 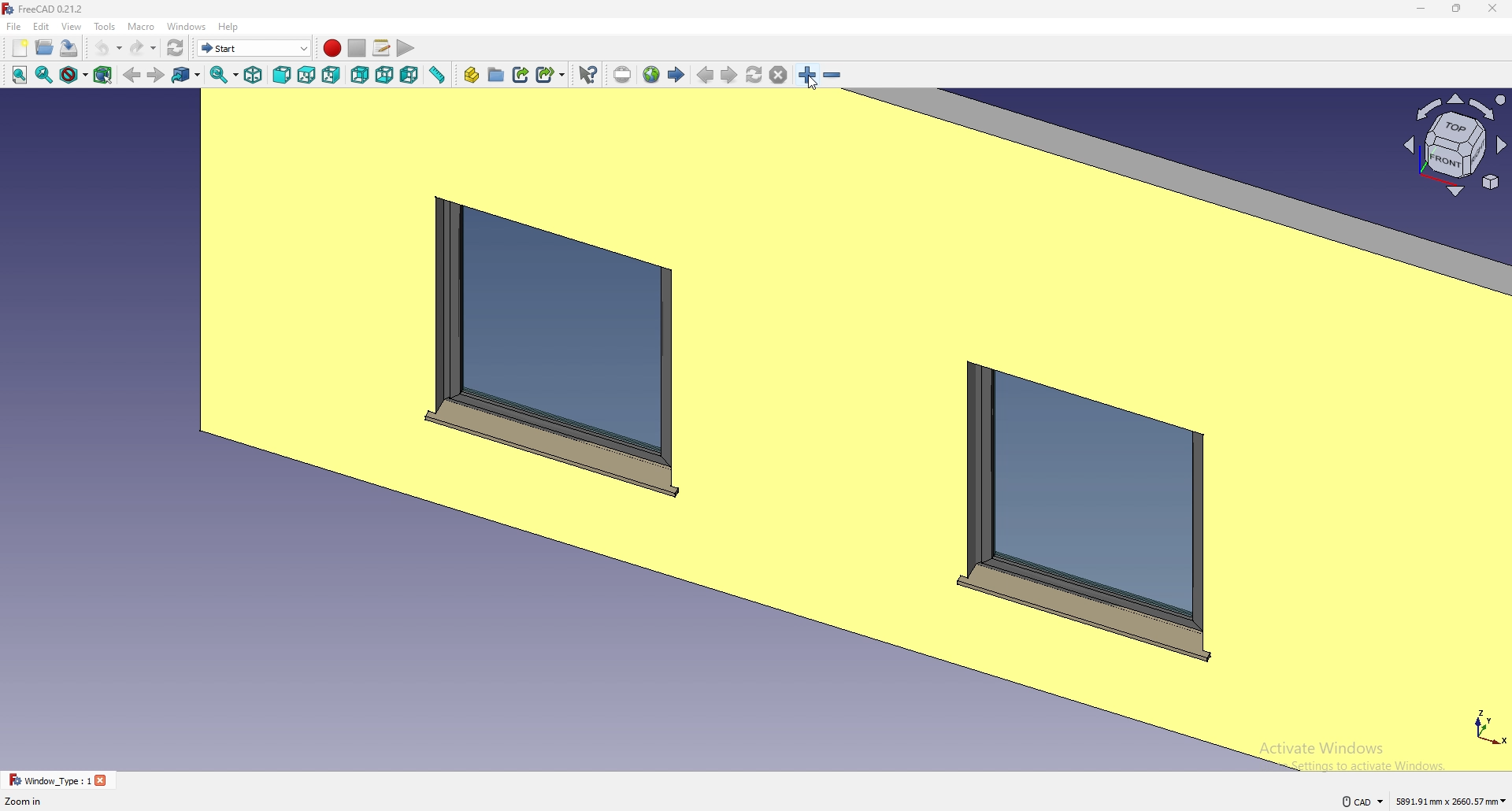 What do you see at coordinates (814, 84) in the screenshot?
I see `cursor` at bounding box center [814, 84].